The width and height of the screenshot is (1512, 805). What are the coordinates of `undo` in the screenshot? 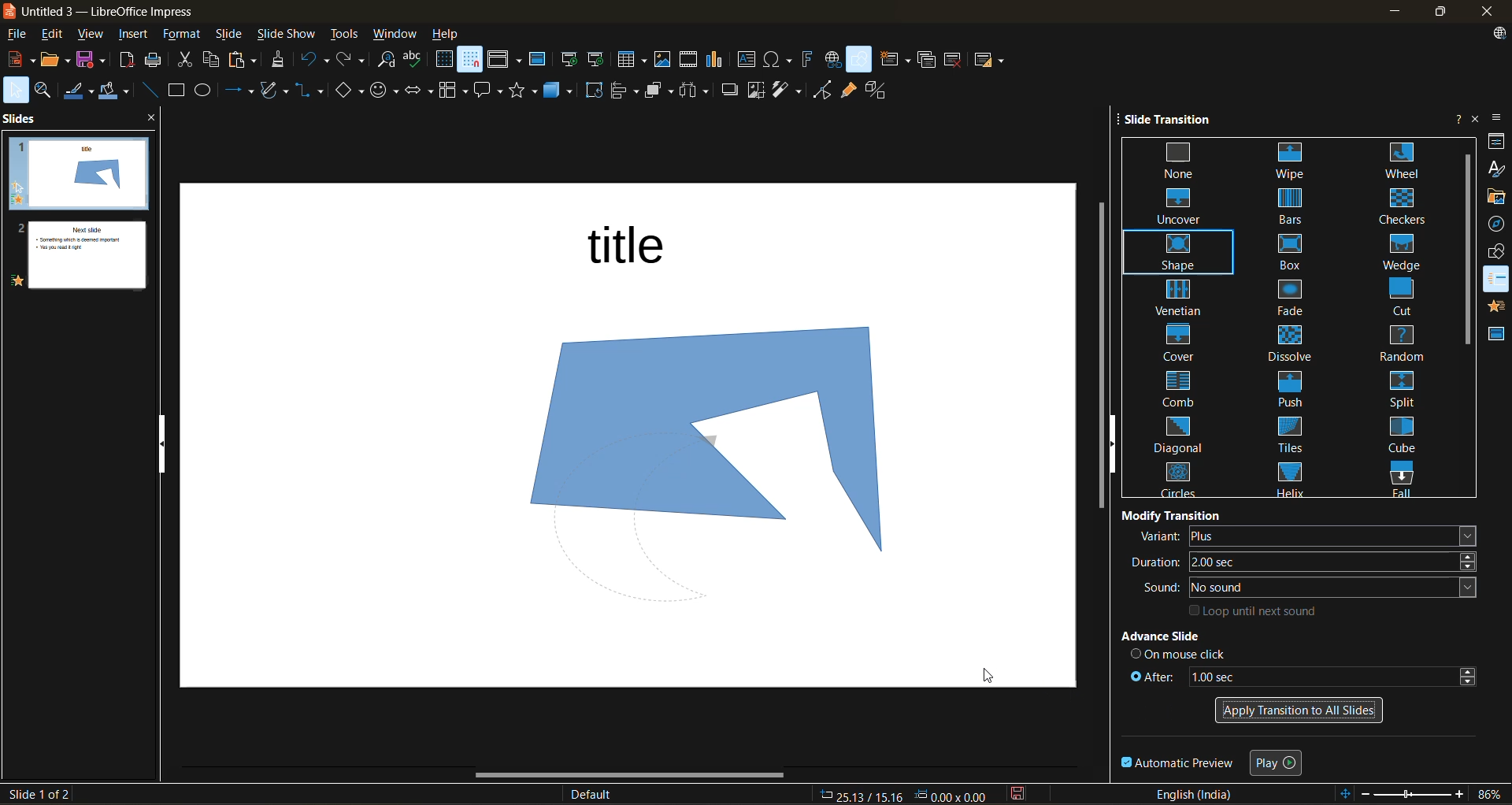 It's located at (315, 61).